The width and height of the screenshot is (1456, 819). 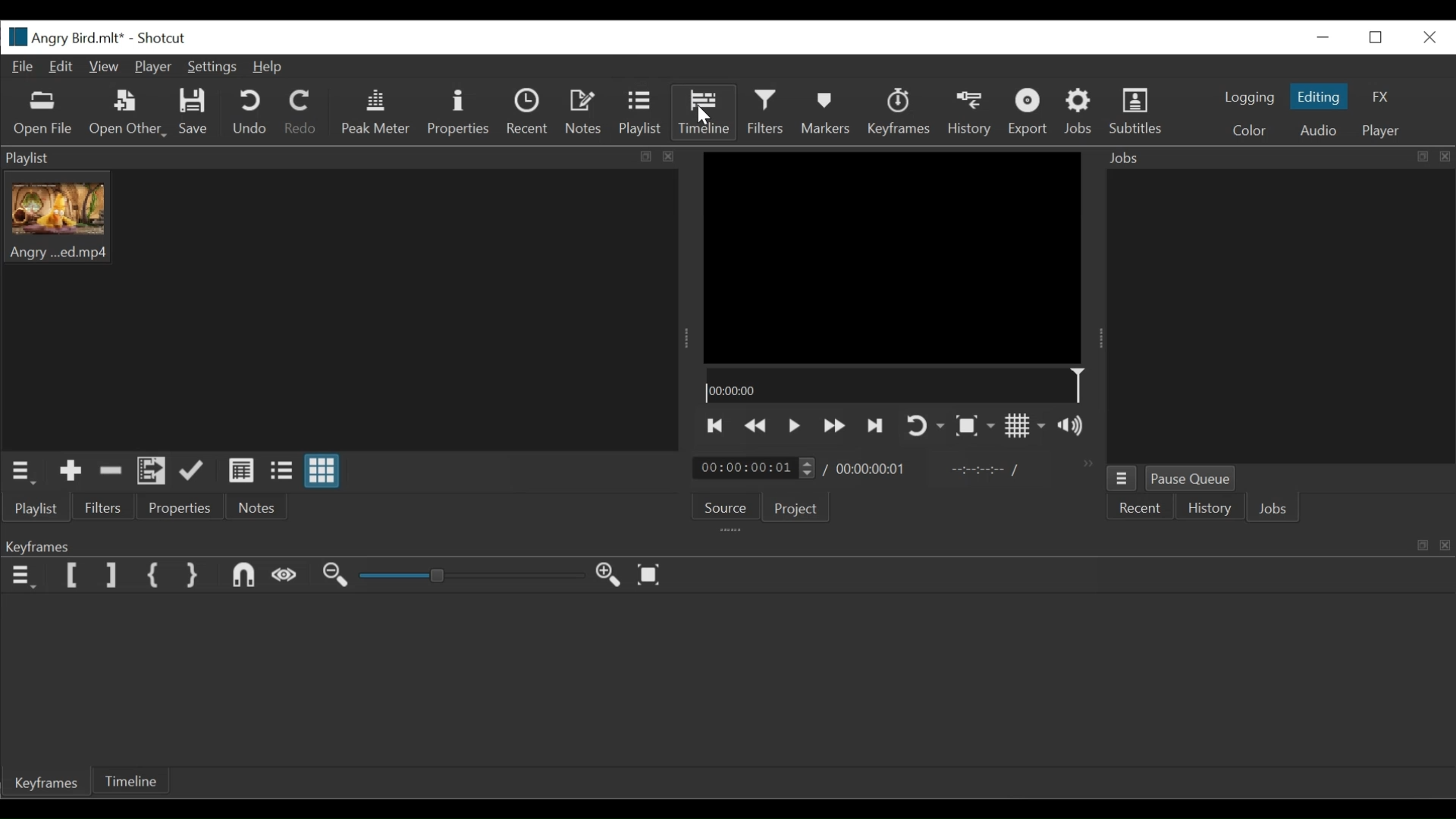 What do you see at coordinates (975, 425) in the screenshot?
I see `Toggle zoom` at bounding box center [975, 425].